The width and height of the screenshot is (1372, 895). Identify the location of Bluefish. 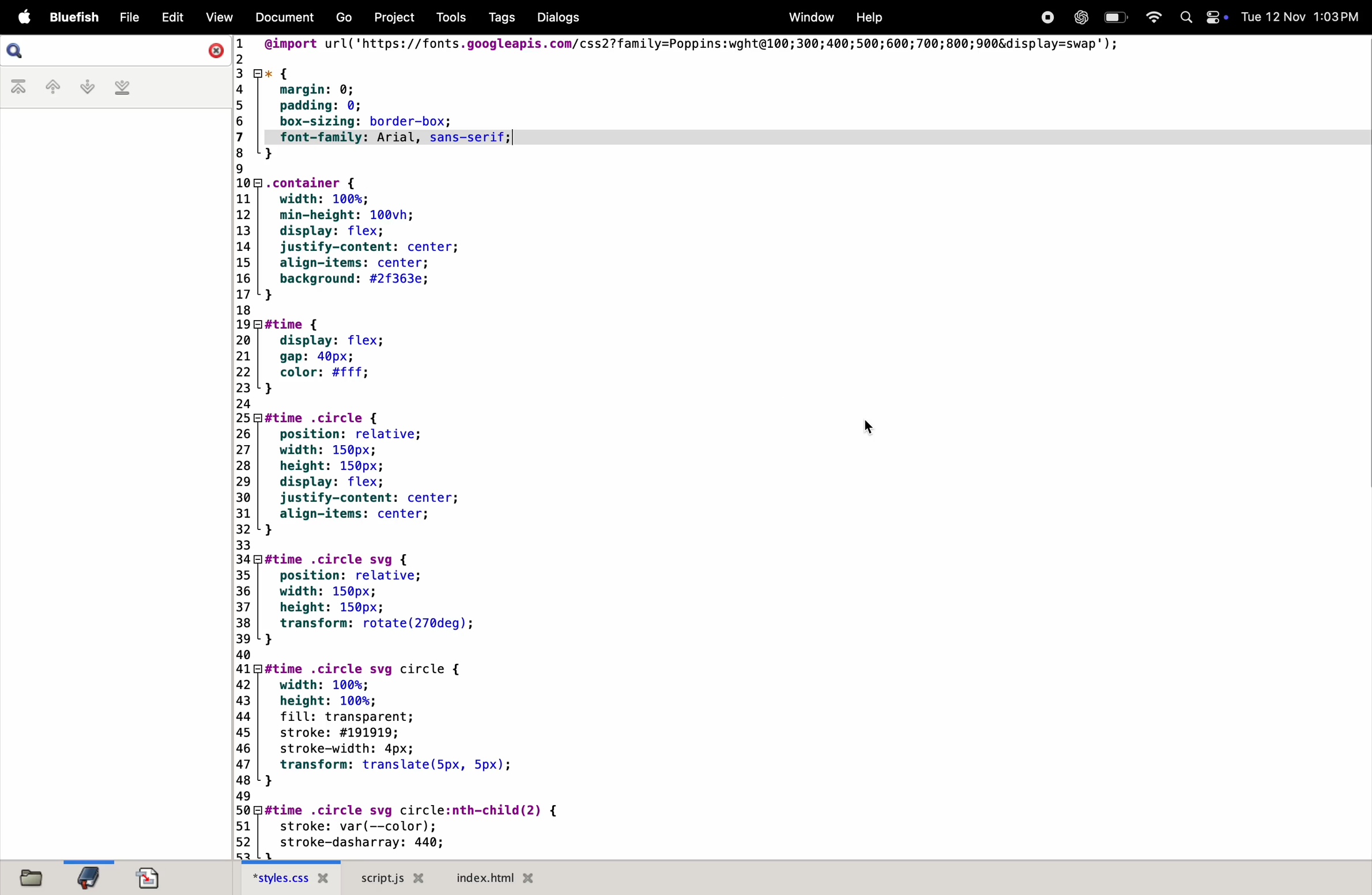
(70, 17).